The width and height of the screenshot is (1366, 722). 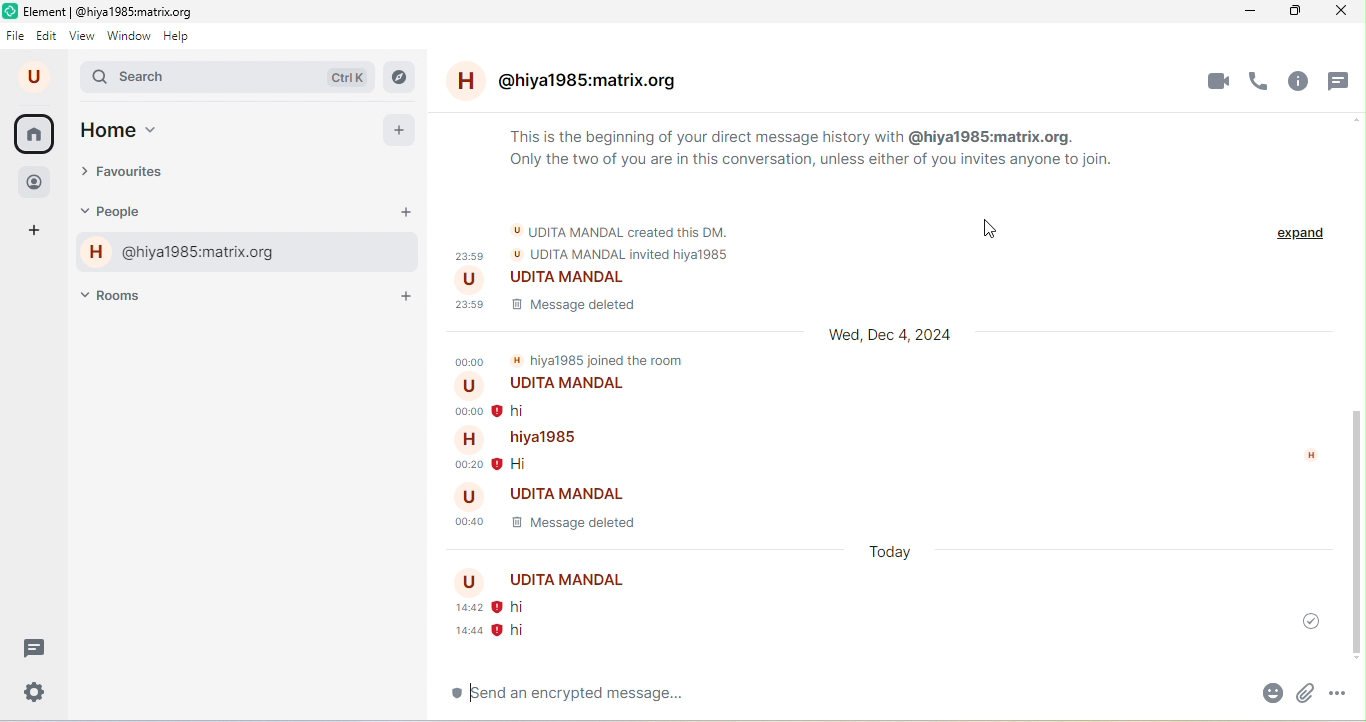 I want to click on favourites, so click(x=140, y=174).